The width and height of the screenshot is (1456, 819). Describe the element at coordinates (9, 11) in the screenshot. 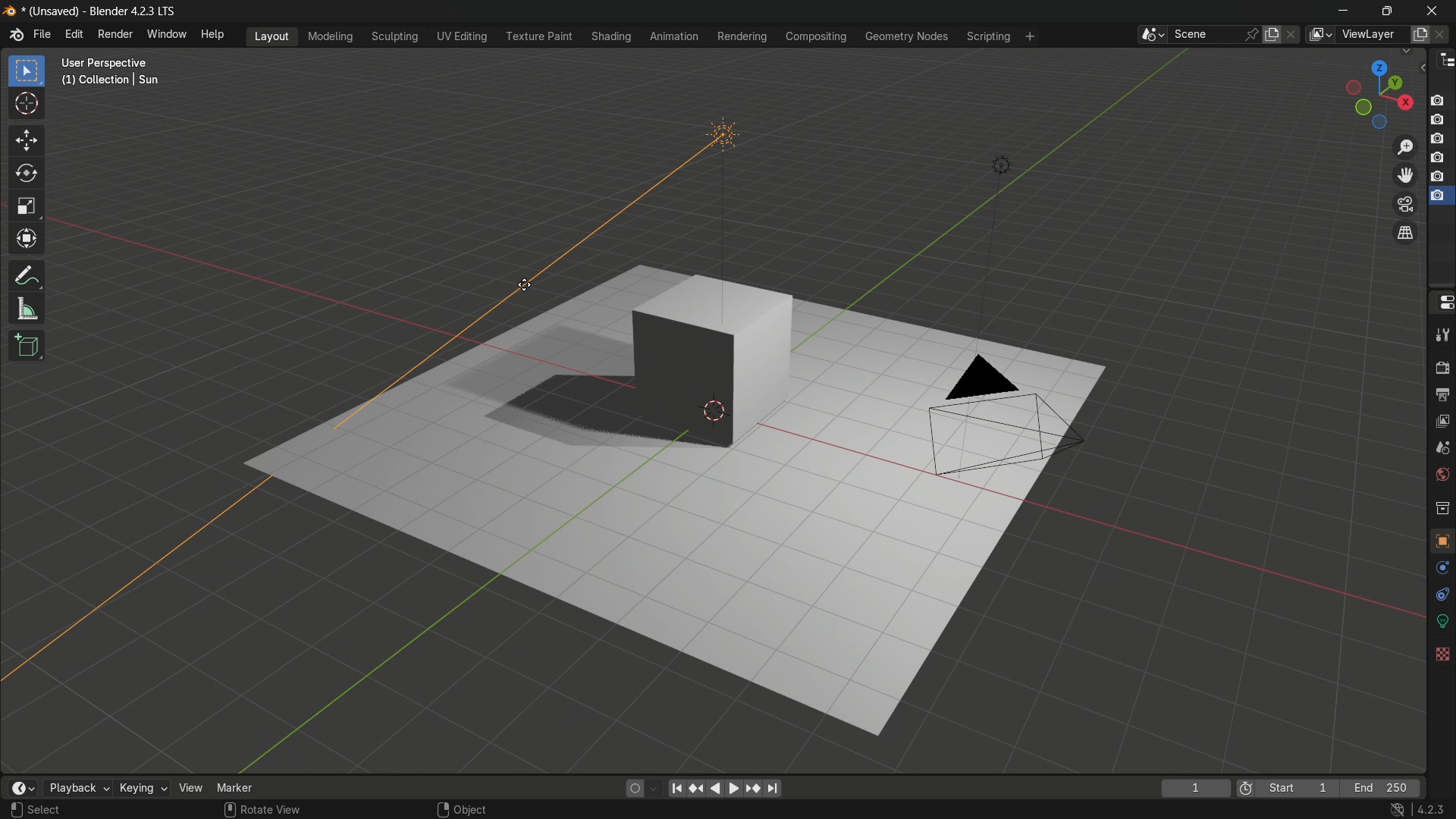

I see `logo` at that location.